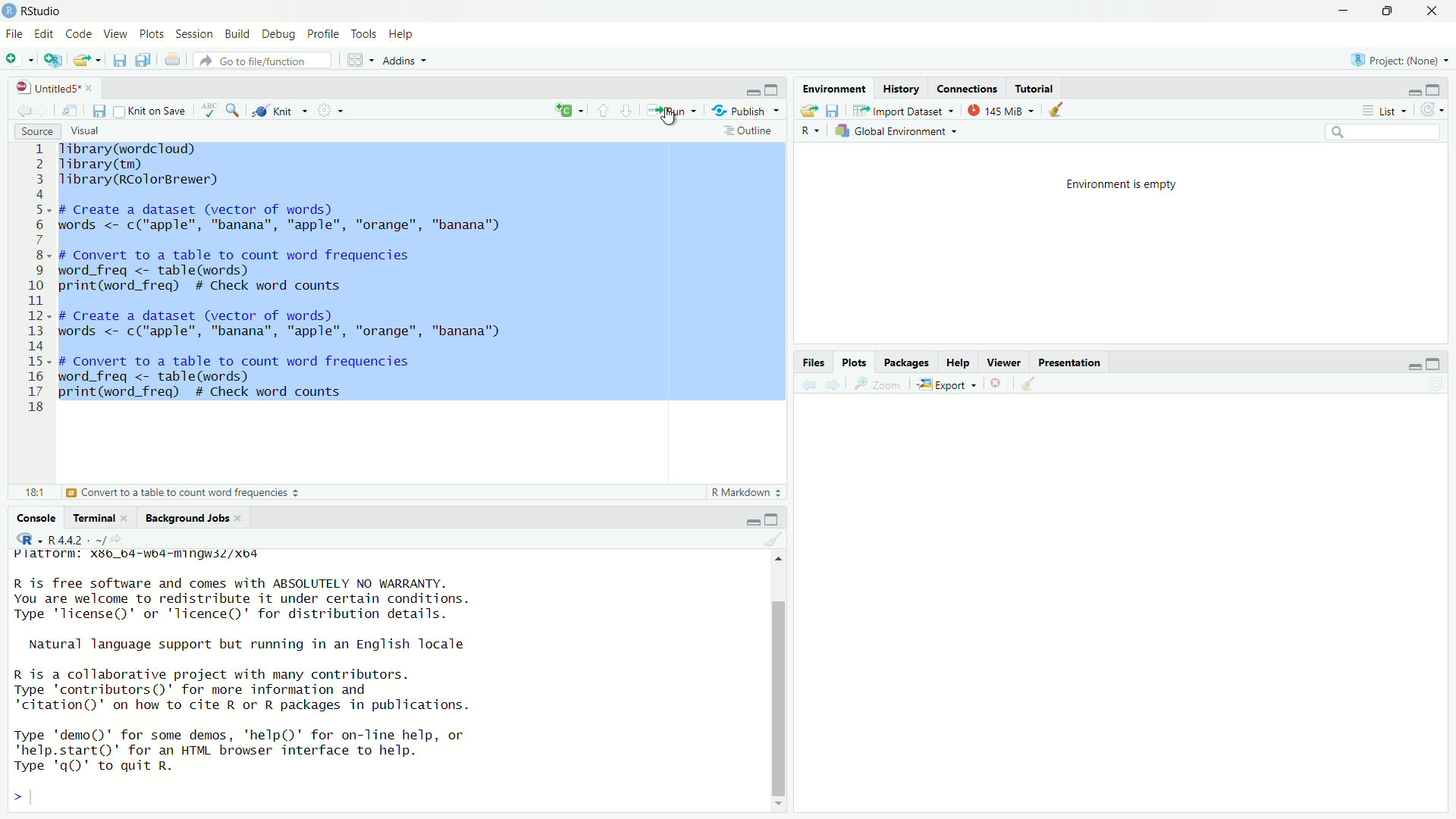 Image resolution: width=1456 pixels, height=819 pixels. I want to click on Tutorial, so click(1036, 87).